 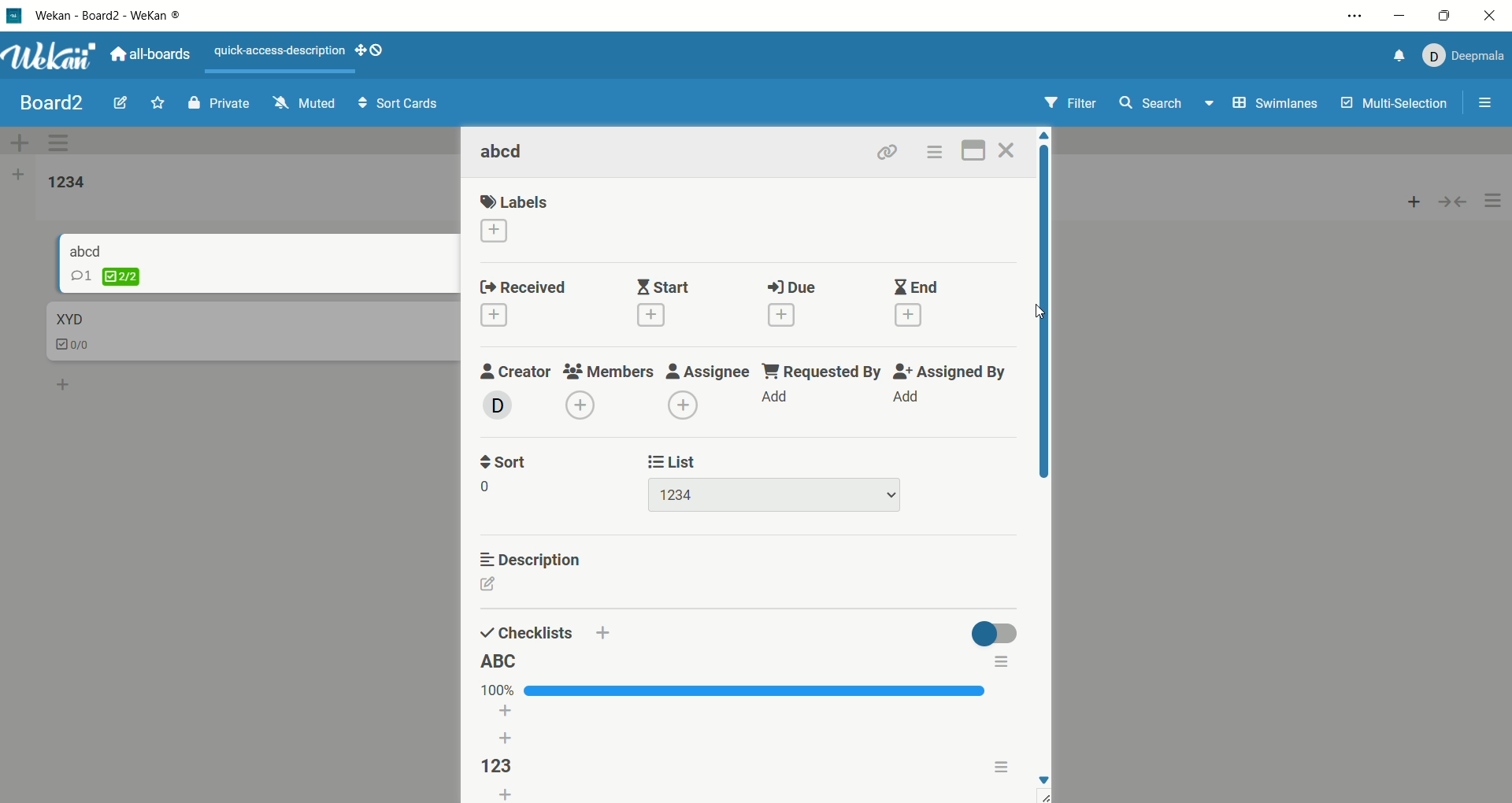 I want to click on vertical scroll bar, so click(x=1046, y=318).